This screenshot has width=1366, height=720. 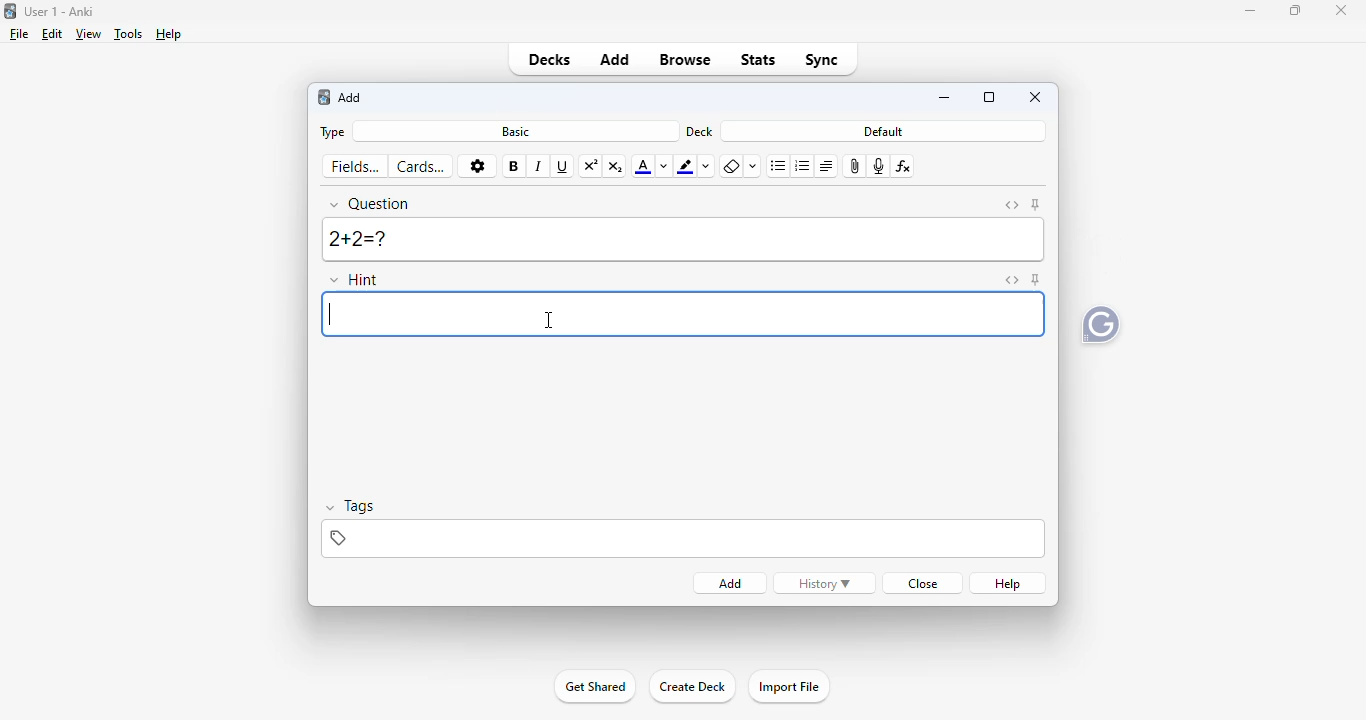 I want to click on help, so click(x=1009, y=584).